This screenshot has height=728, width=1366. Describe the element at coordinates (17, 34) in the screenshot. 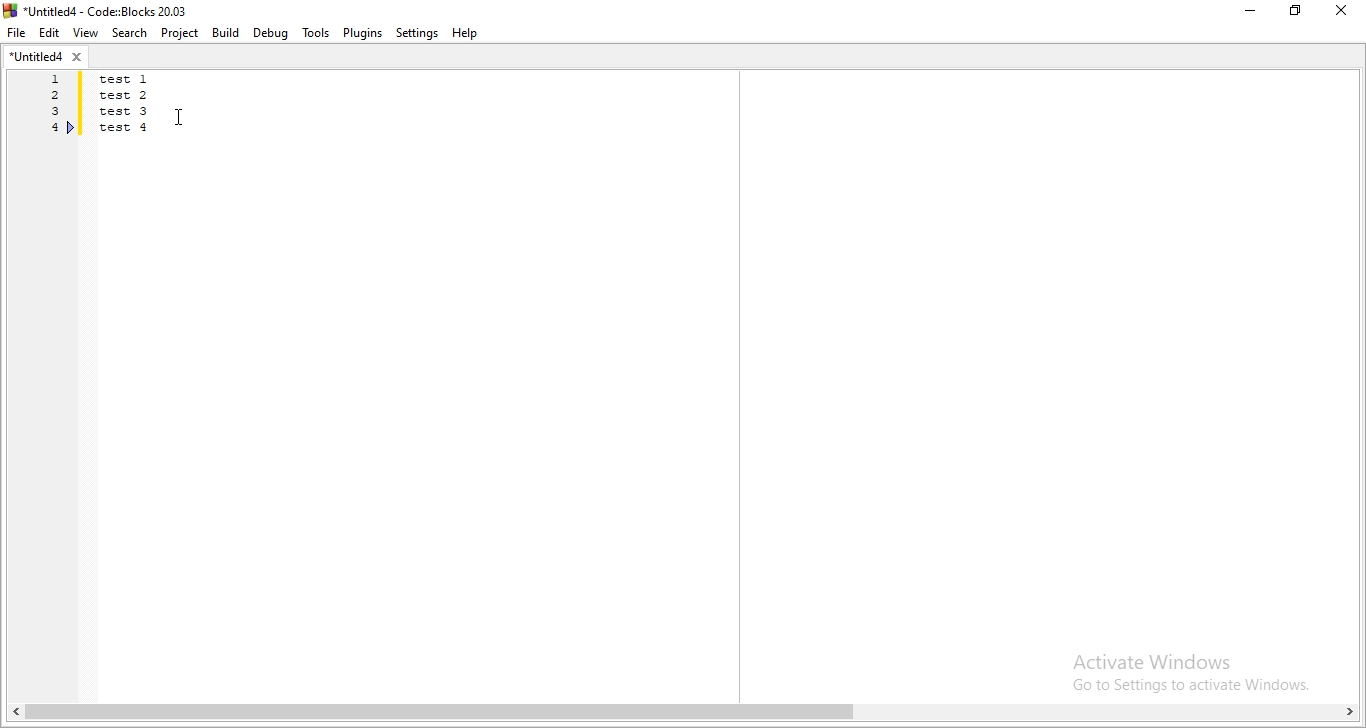

I see `File` at that location.